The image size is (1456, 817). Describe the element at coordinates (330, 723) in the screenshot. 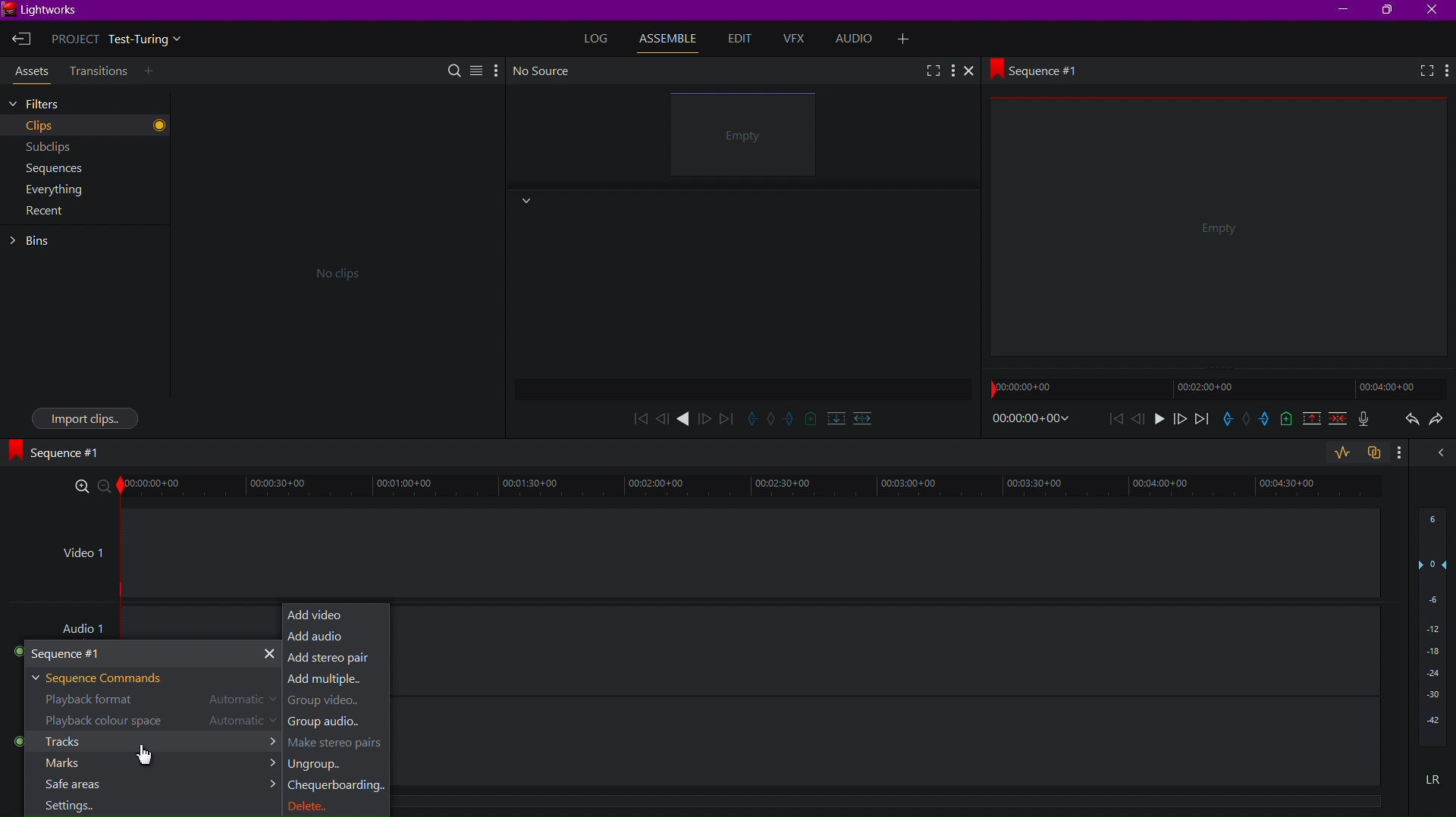

I see `Group audio` at that location.